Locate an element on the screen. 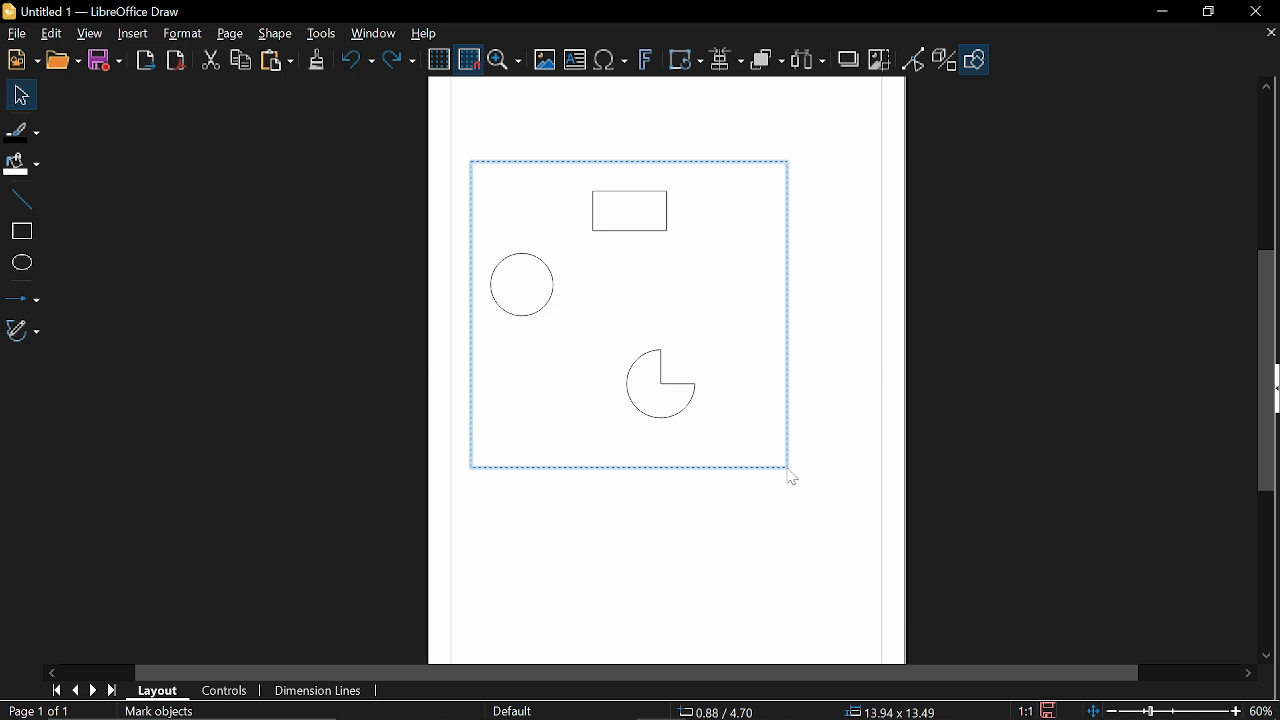 This screenshot has width=1280, height=720. Display grid is located at coordinates (438, 59).